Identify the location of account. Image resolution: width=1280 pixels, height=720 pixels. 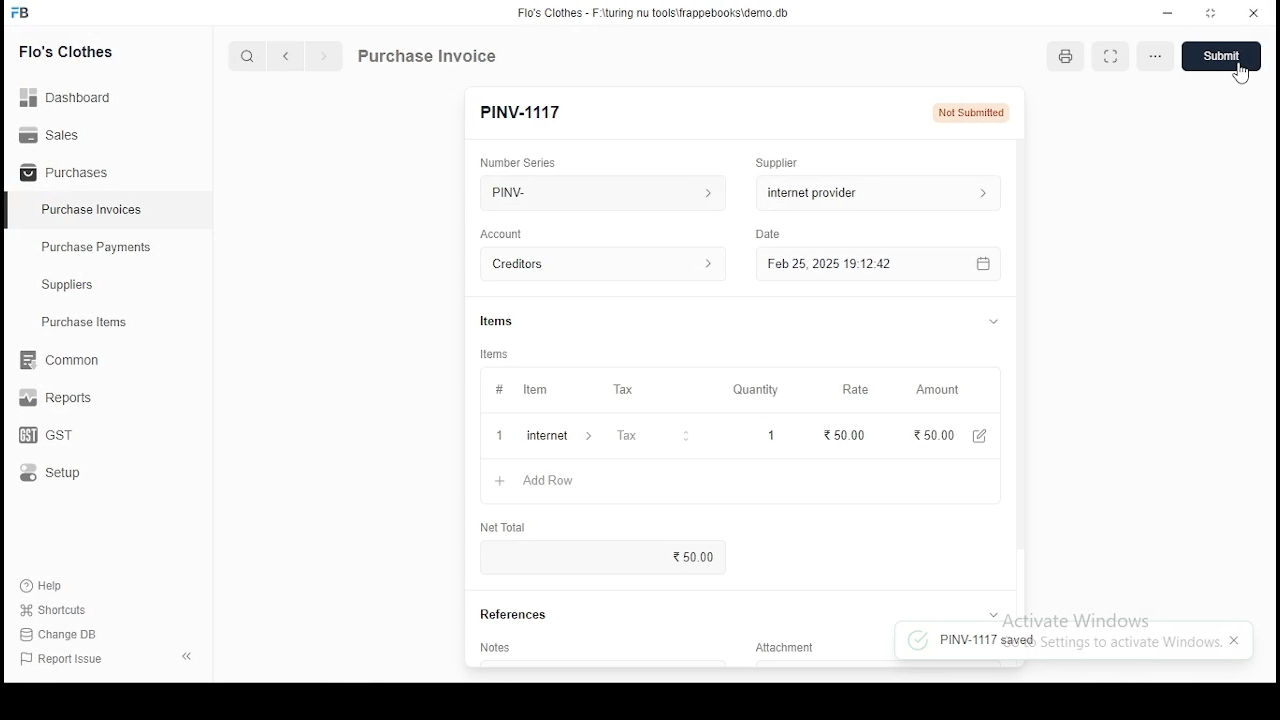
(502, 234).